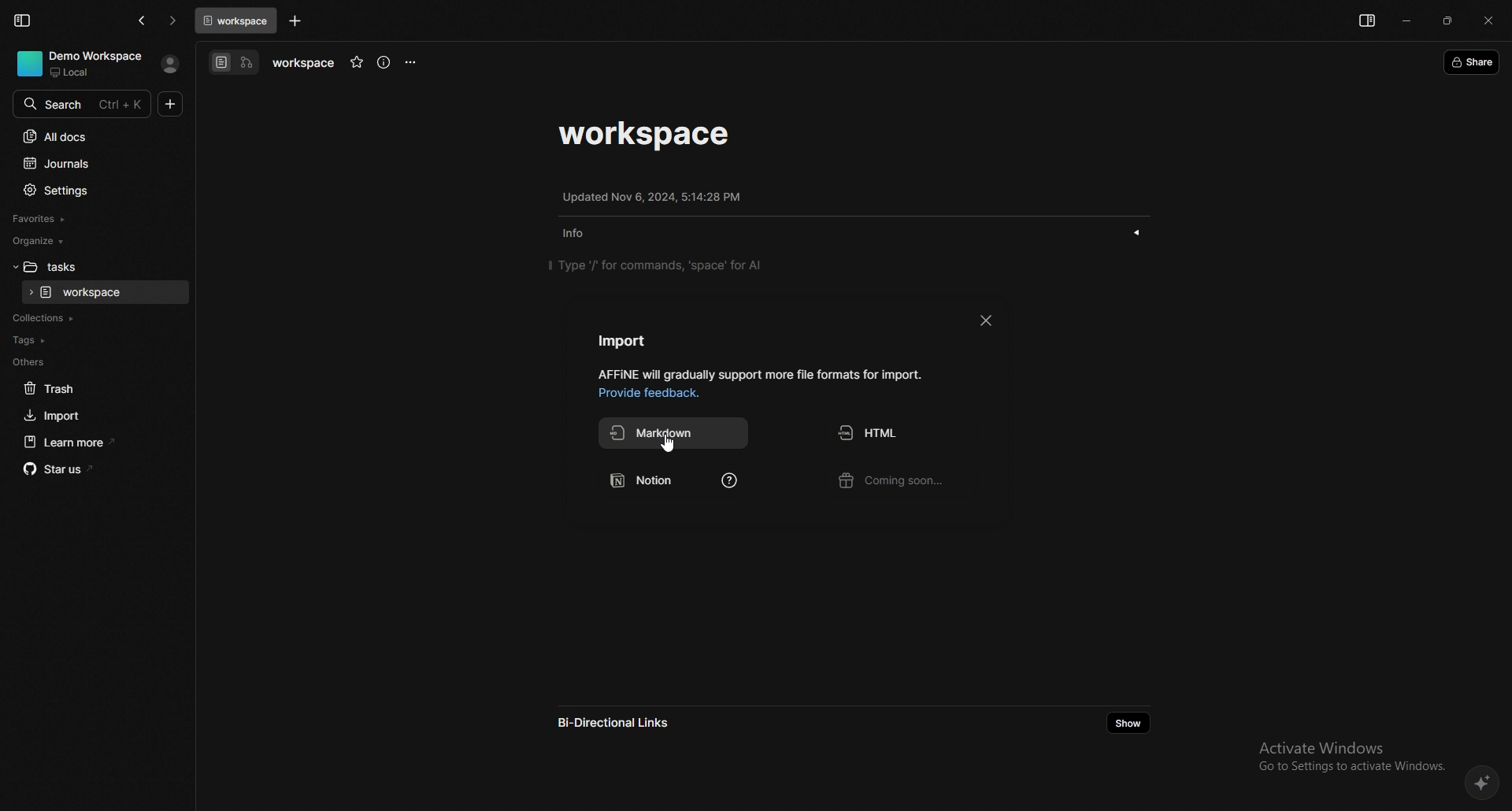 This screenshot has height=811, width=1512. Describe the element at coordinates (170, 64) in the screenshot. I see `profile` at that location.